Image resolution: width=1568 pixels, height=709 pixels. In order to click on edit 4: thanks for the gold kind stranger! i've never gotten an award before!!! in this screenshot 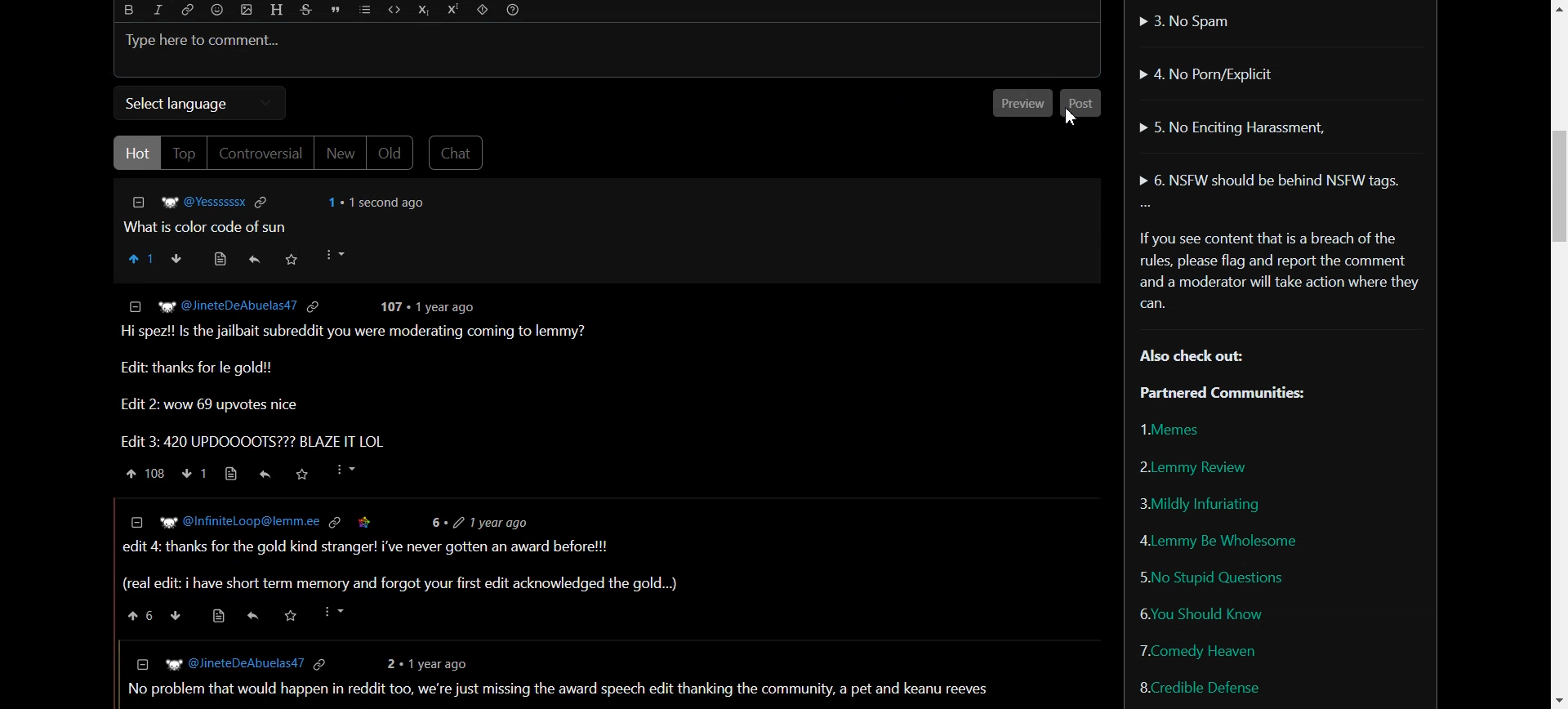, I will do `click(371, 547)`.